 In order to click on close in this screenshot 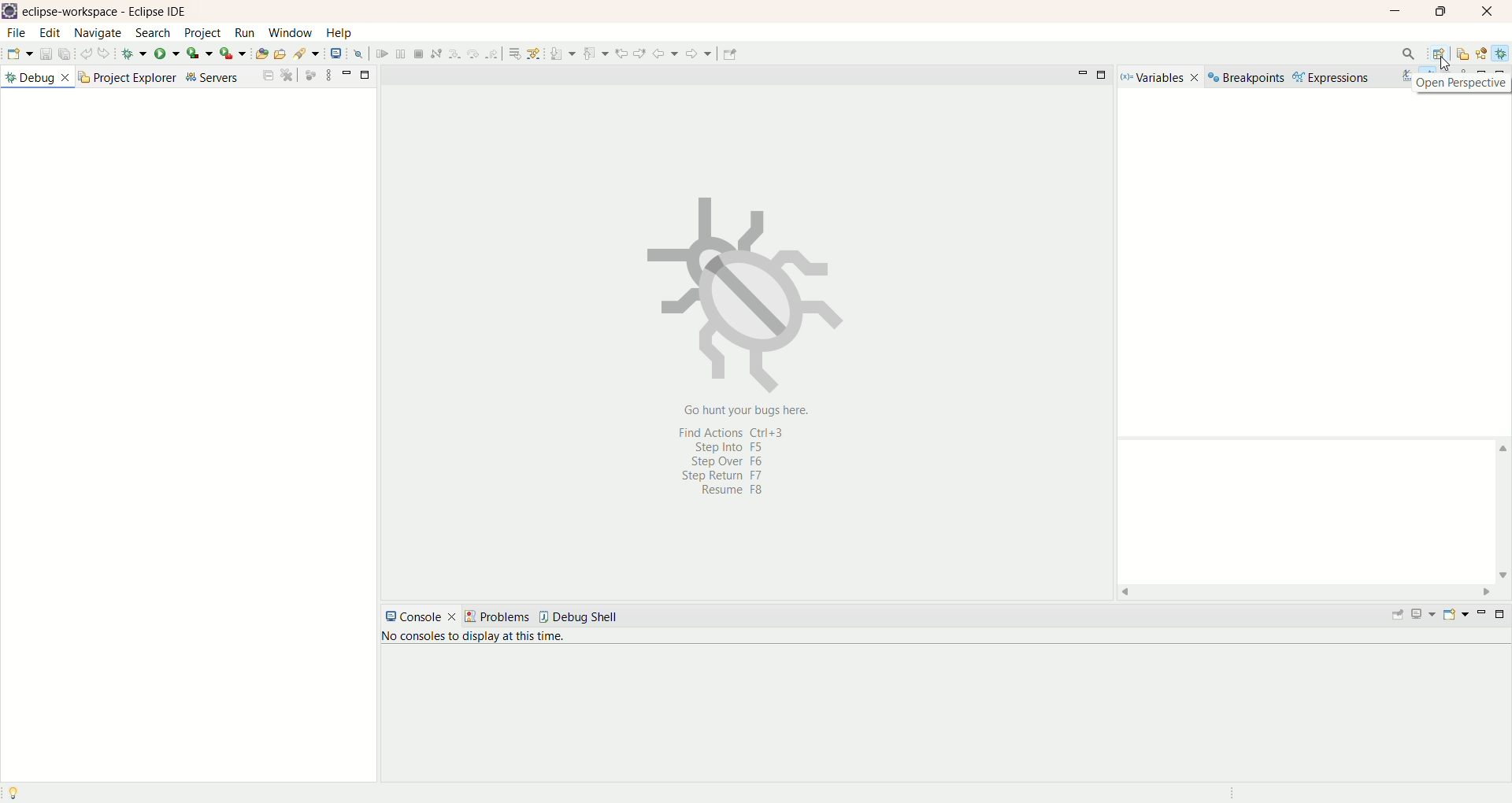, I will do `click(1487, 11)`.